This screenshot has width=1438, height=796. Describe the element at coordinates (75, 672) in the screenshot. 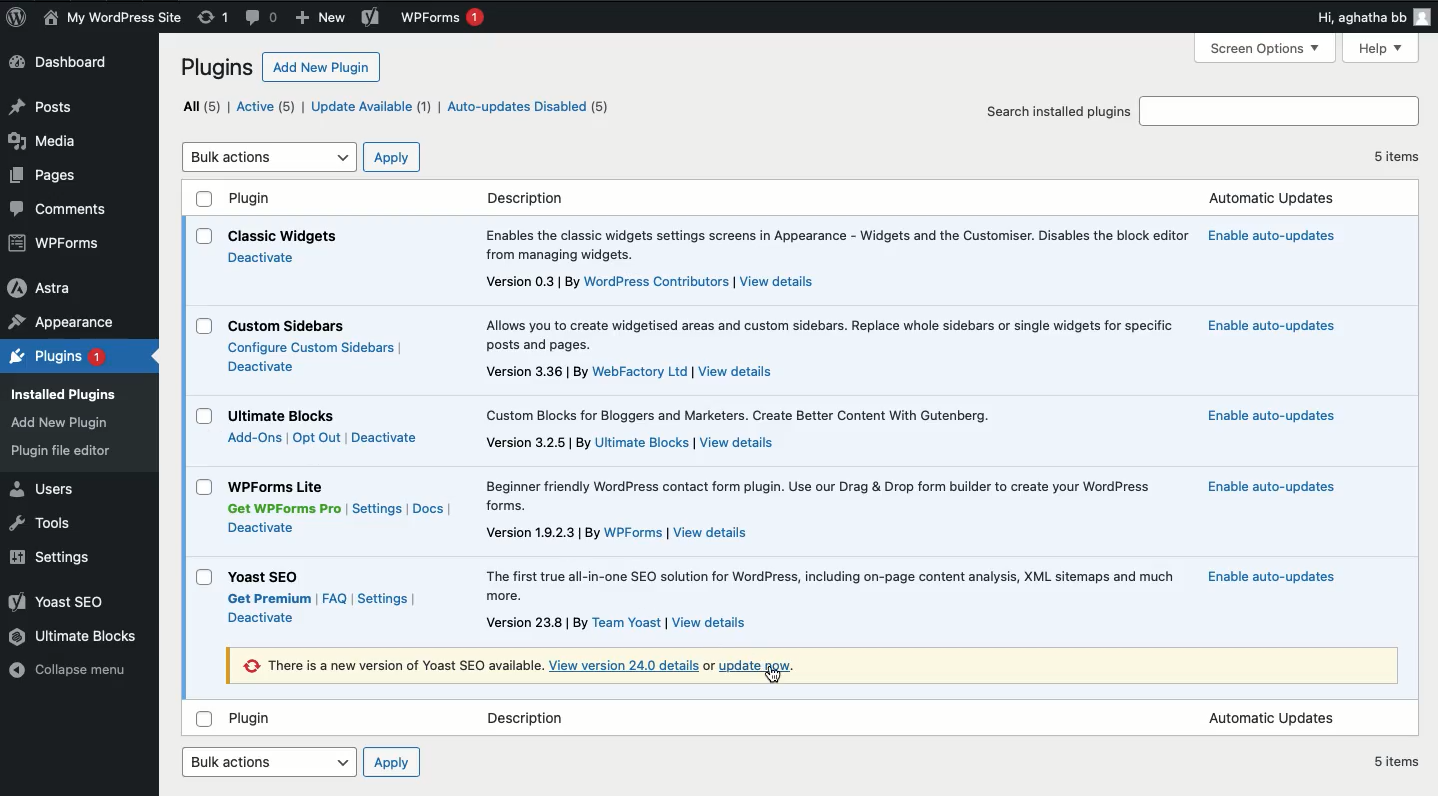

I see `Collapse menu` at that location.